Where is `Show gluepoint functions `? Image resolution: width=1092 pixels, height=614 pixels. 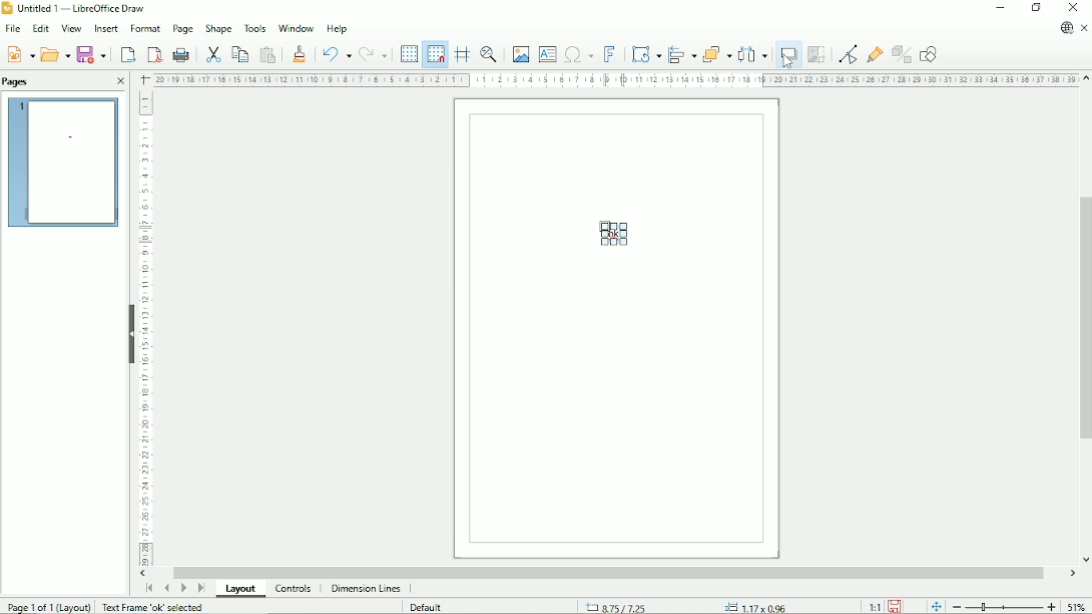 Show gluepoint functions  is located at coordinates (875, 54).